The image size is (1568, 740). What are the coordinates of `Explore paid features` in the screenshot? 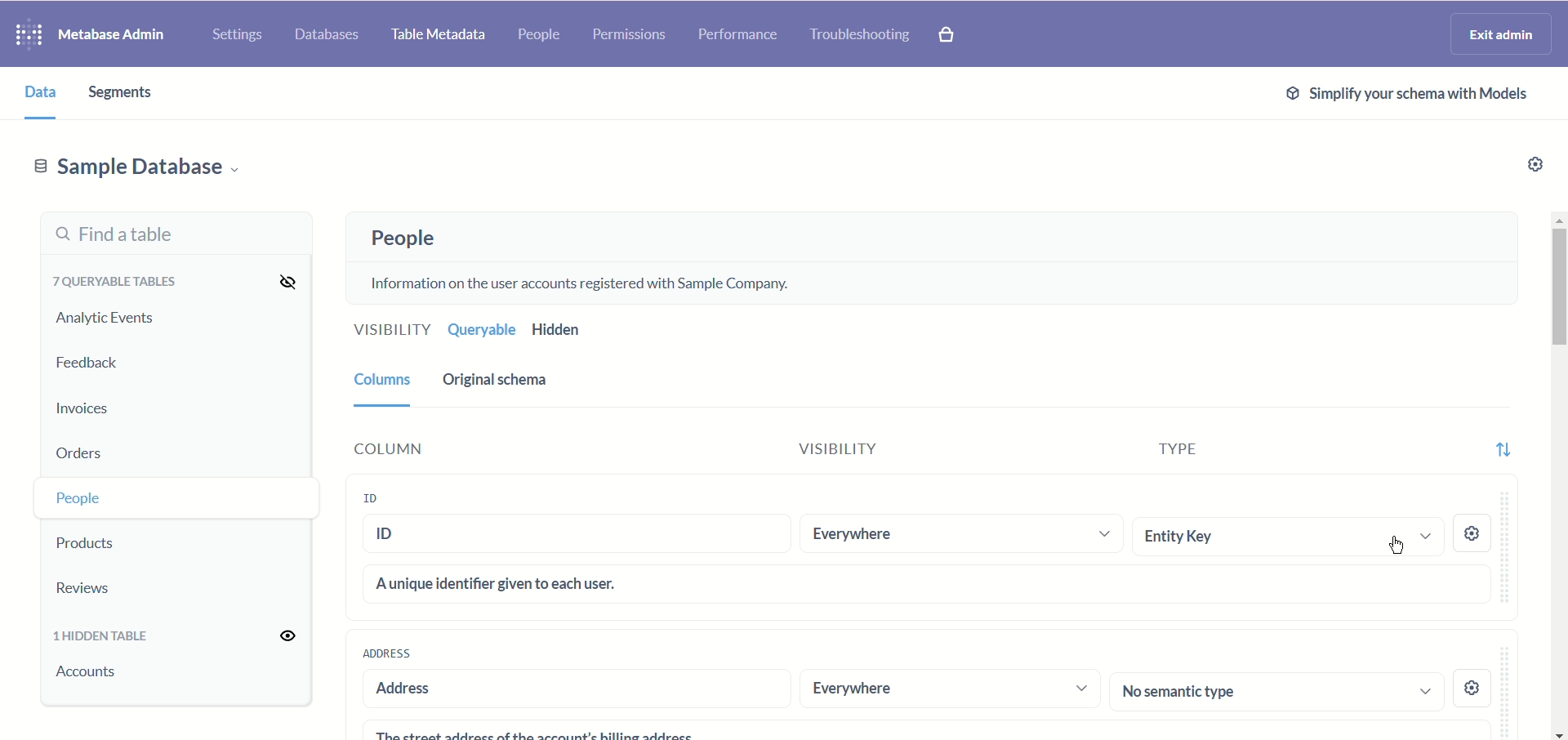 It's located at (957, 35).